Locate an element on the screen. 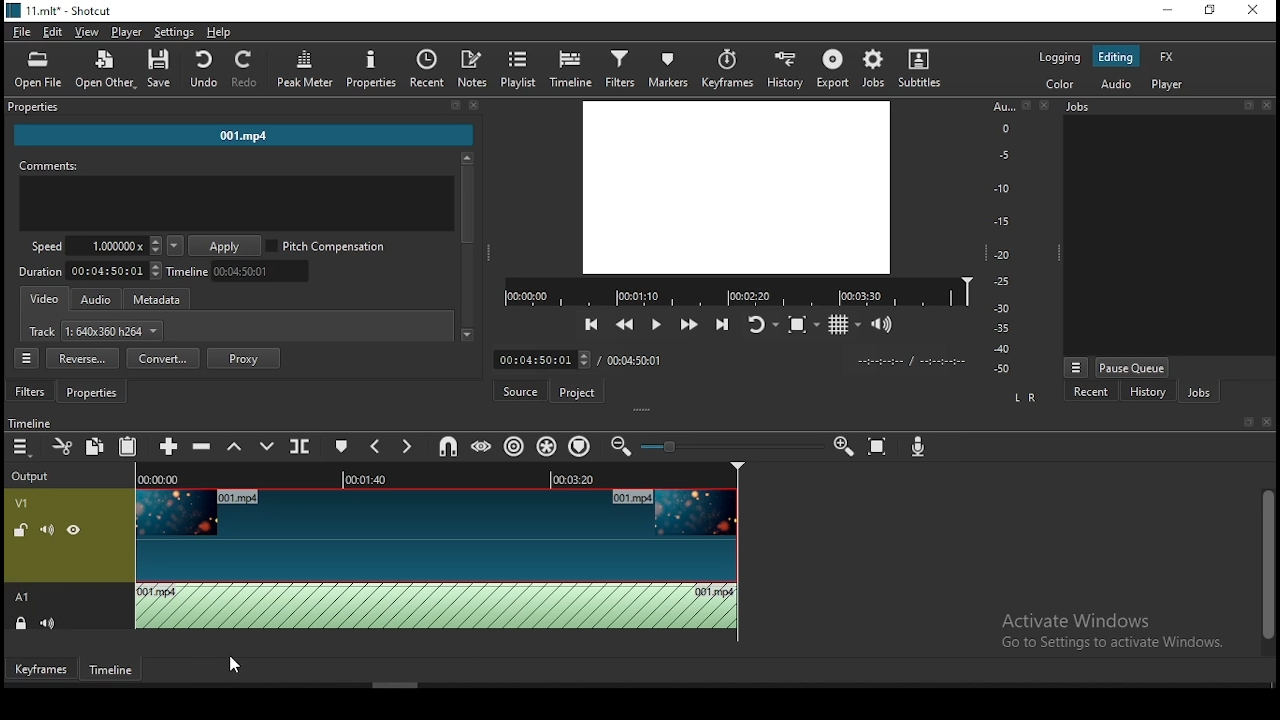 Image resolution: width=1280 pixels, height=720 pixels. max time is located at coordinates (634, 362).